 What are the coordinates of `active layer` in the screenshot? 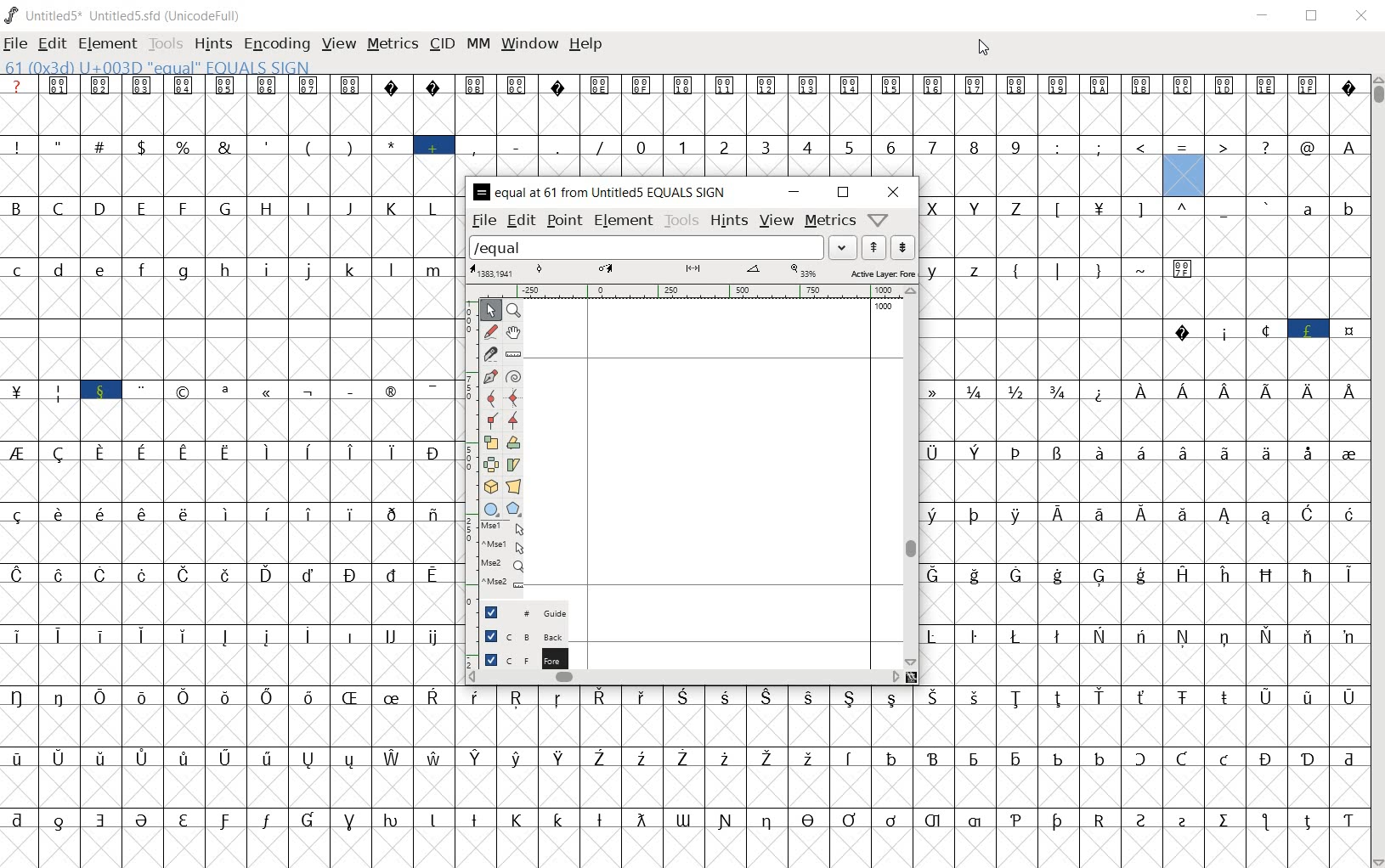 It's located at (693, 272).